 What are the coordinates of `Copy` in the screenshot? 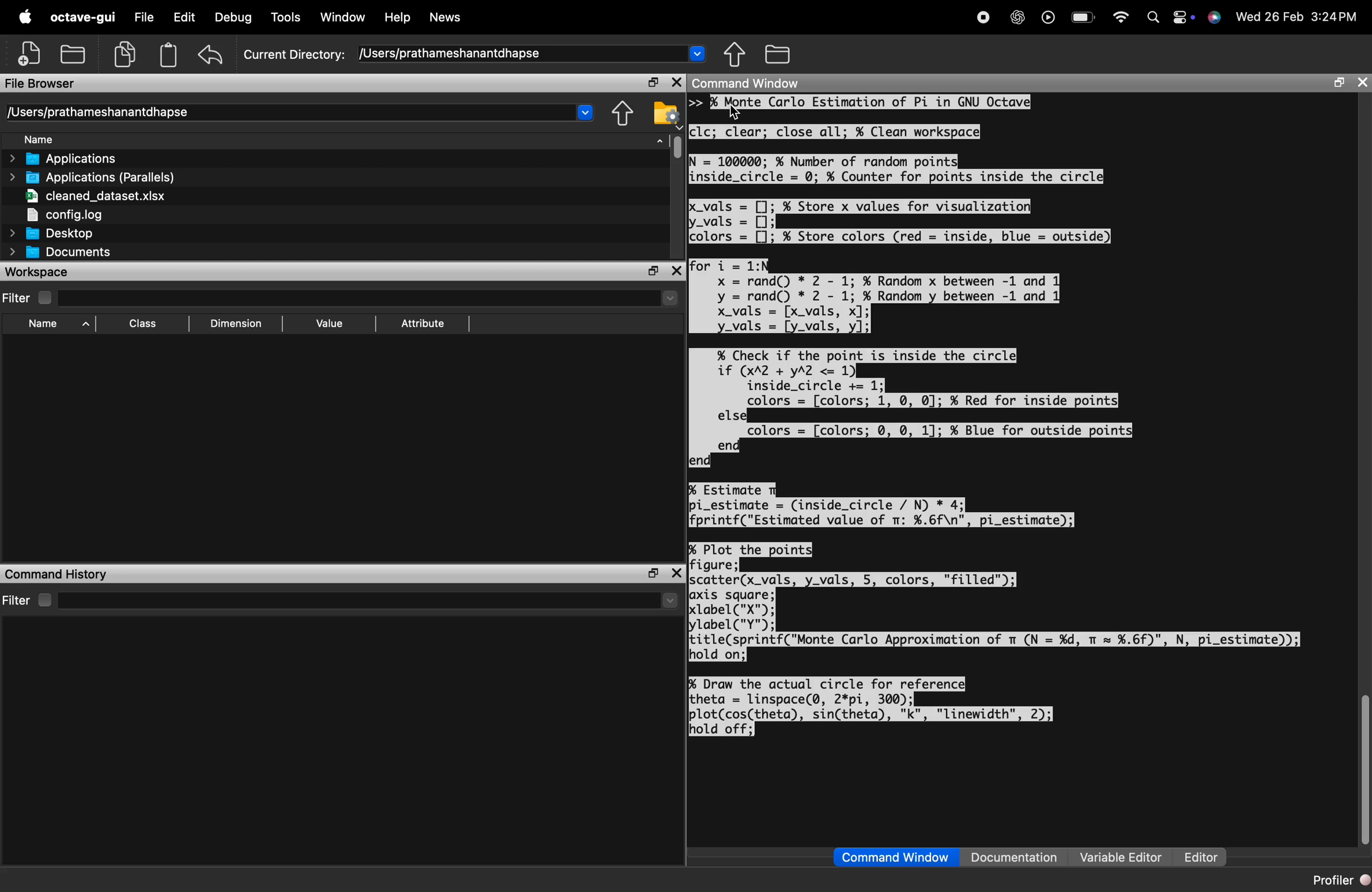 It's located at (126, 53).